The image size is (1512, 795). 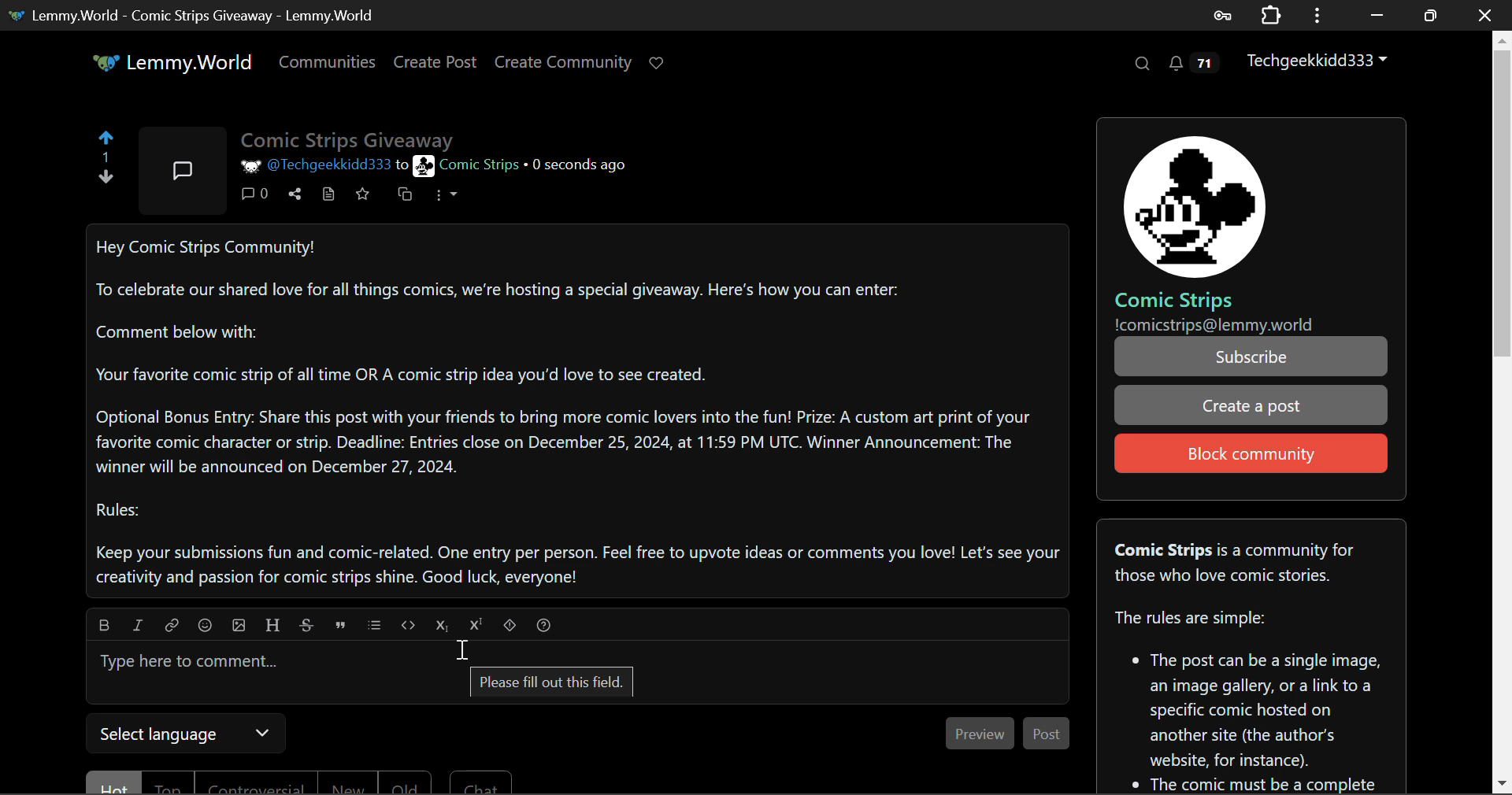 What do you see at coordinates (1251, 357) in the screenshot?
I see `Subscribe` at bounding box center [1251, 357].